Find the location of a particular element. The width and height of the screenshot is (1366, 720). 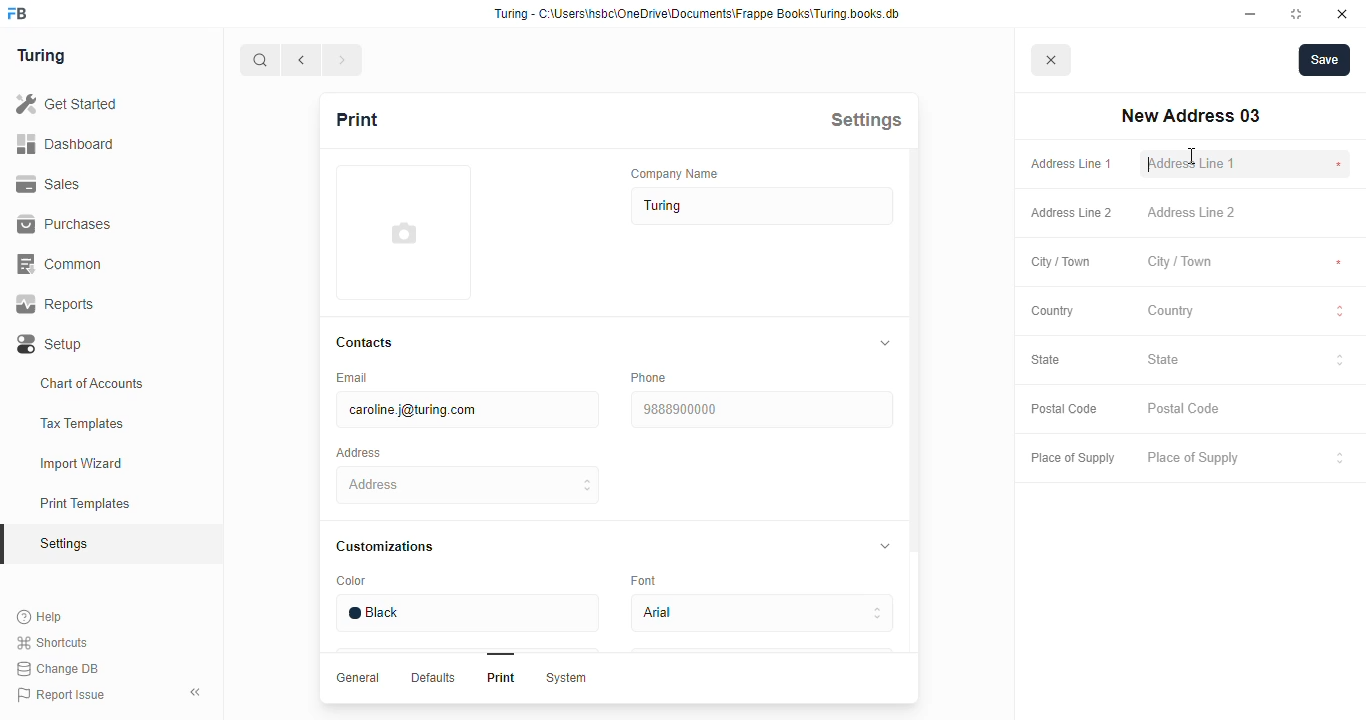

company name is located at coordinates (675, 173).